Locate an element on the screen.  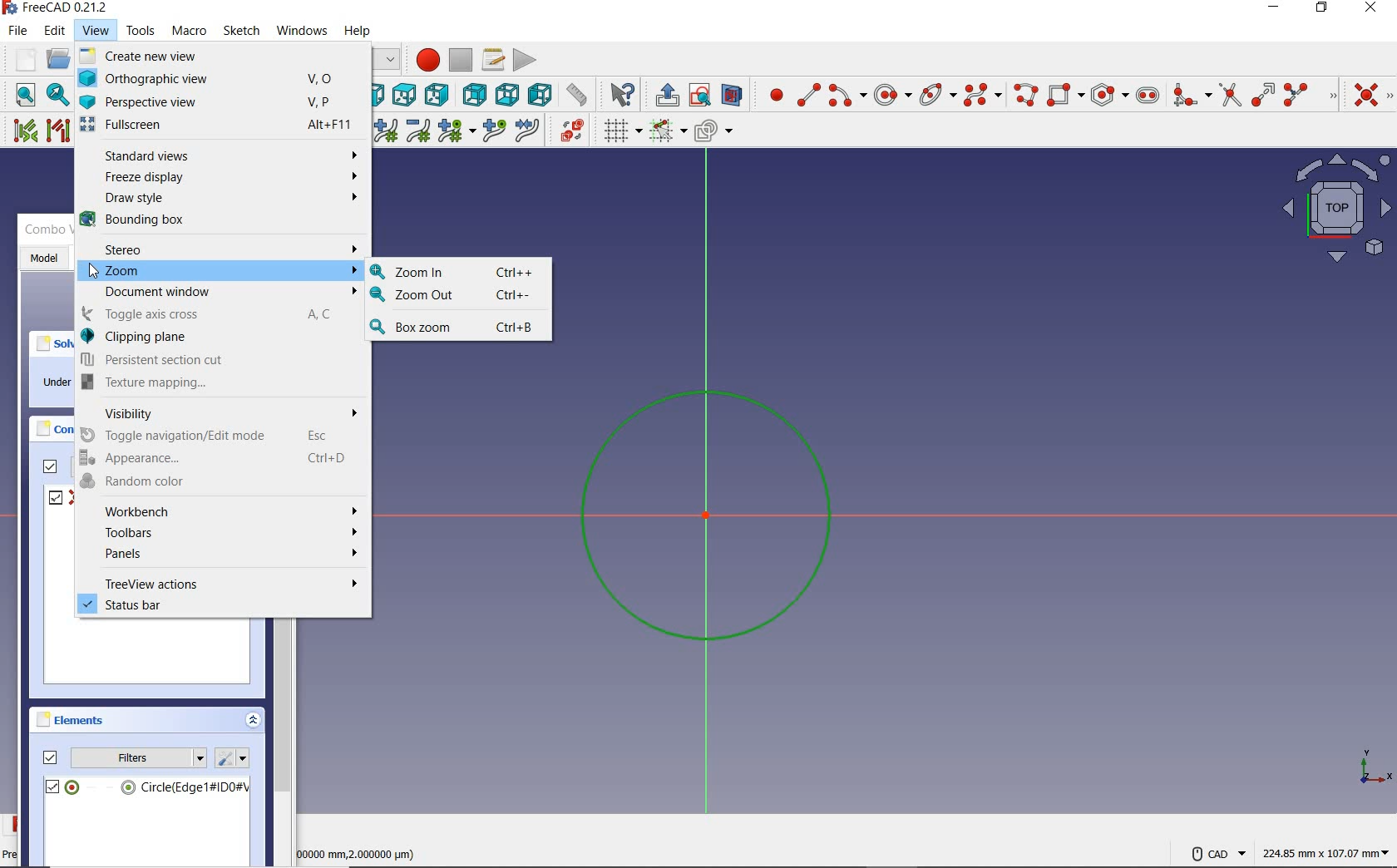
stop macro recording is located at coordinates (461, 59).